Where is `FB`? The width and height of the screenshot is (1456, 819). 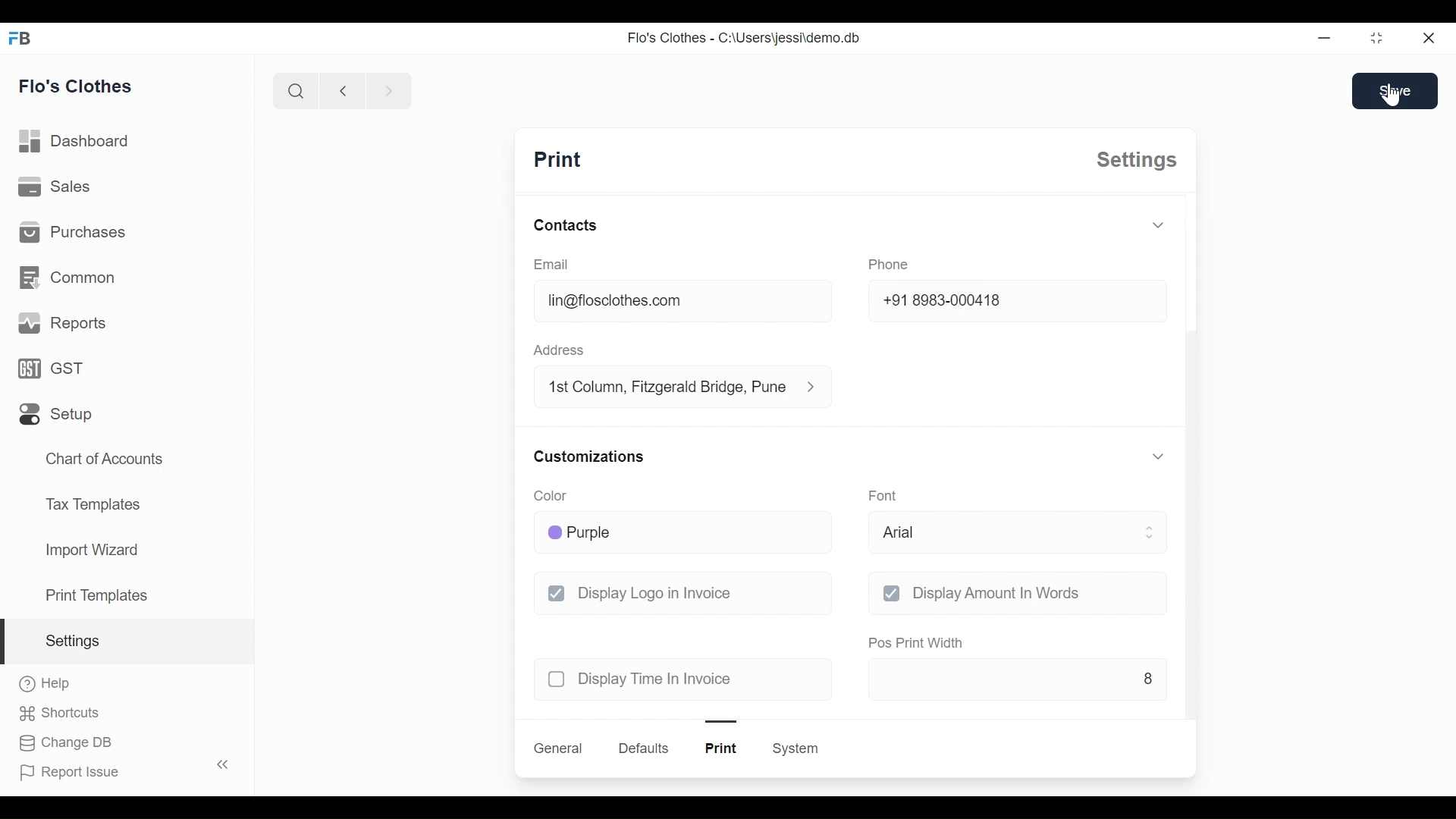 FB is located at coordinates (21, 37).